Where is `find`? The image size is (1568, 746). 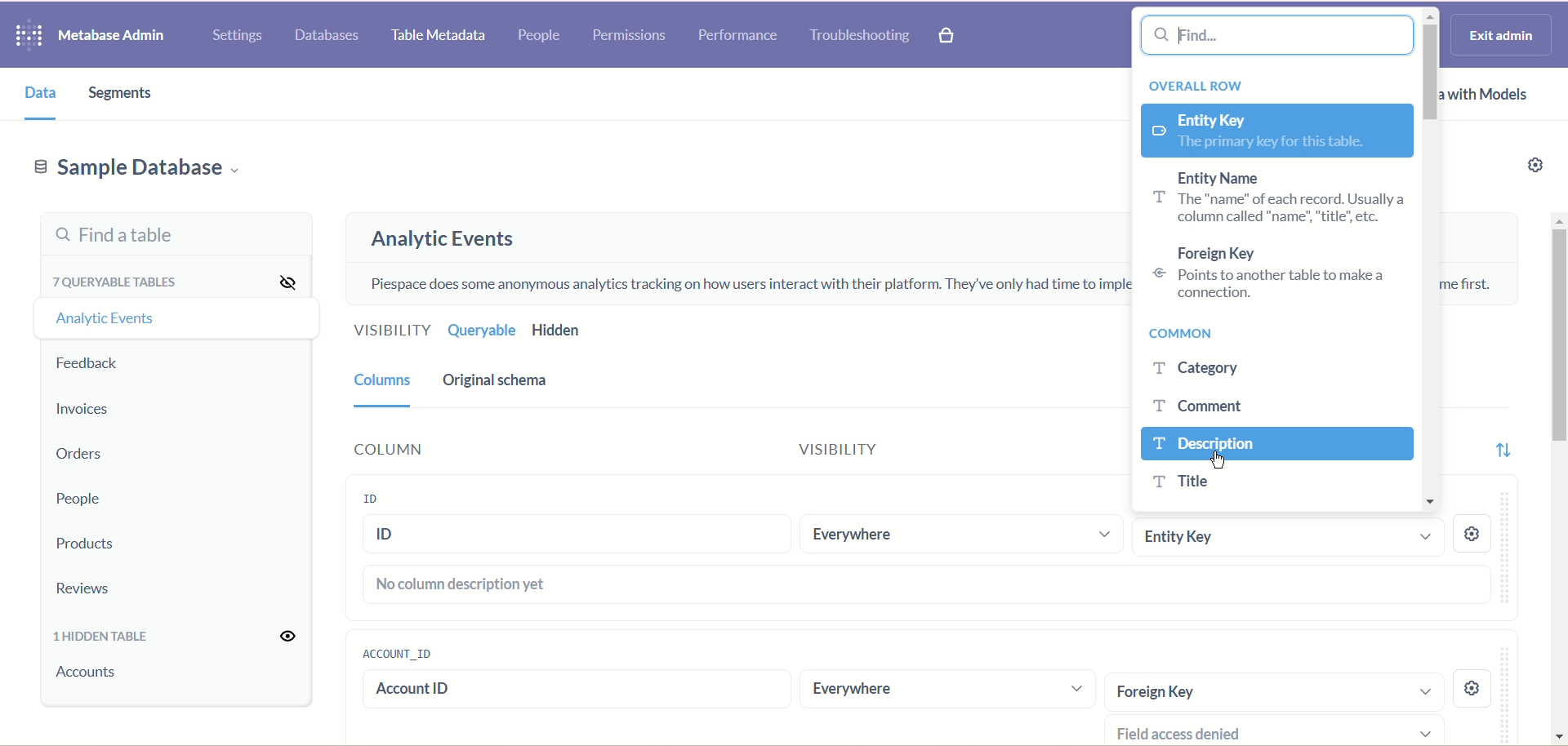
find is located at coordinates (1281, 33).